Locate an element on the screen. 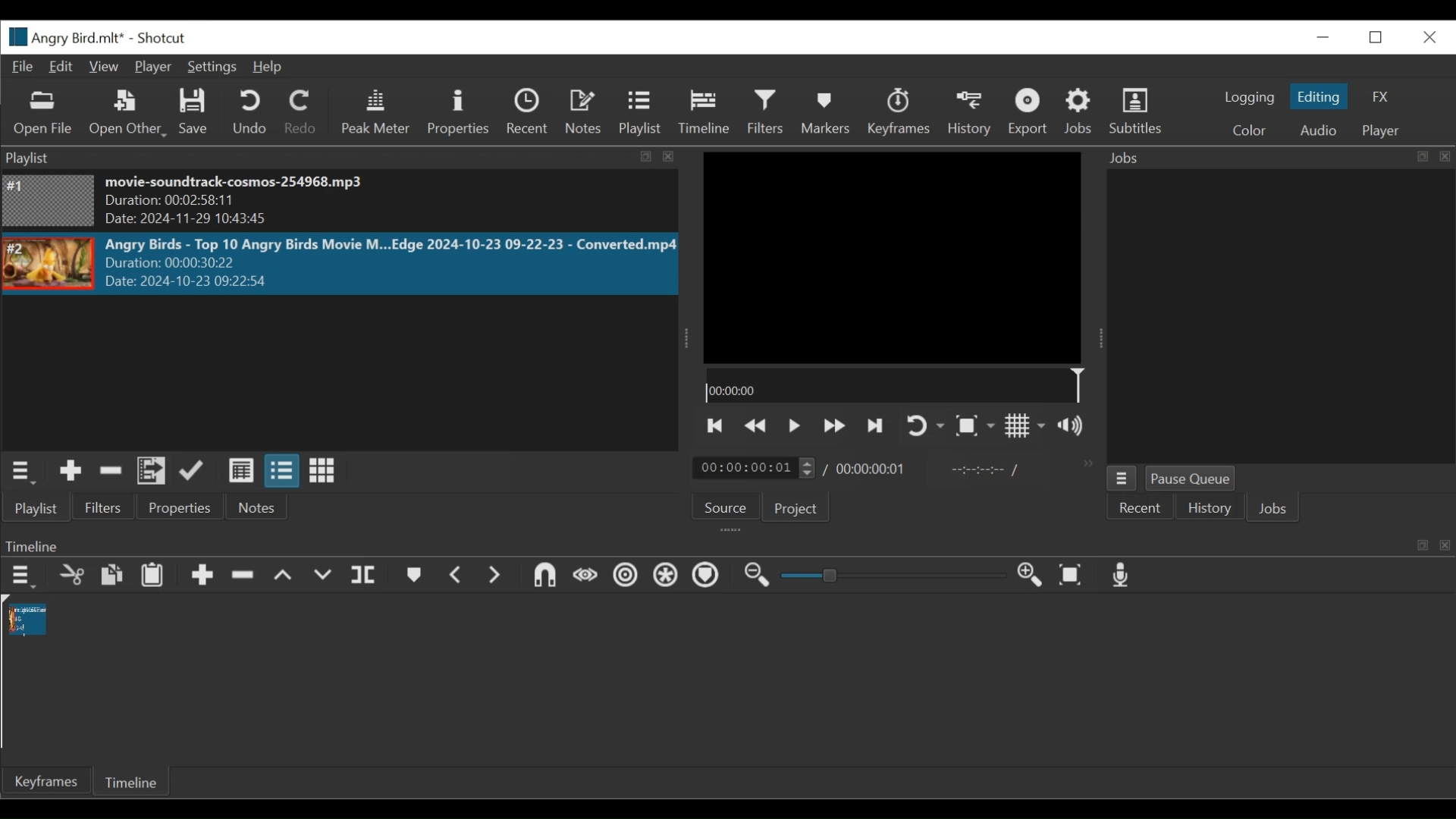 This screenshot has height=819, width=1456. Settings is located at coordinates (210, 67).